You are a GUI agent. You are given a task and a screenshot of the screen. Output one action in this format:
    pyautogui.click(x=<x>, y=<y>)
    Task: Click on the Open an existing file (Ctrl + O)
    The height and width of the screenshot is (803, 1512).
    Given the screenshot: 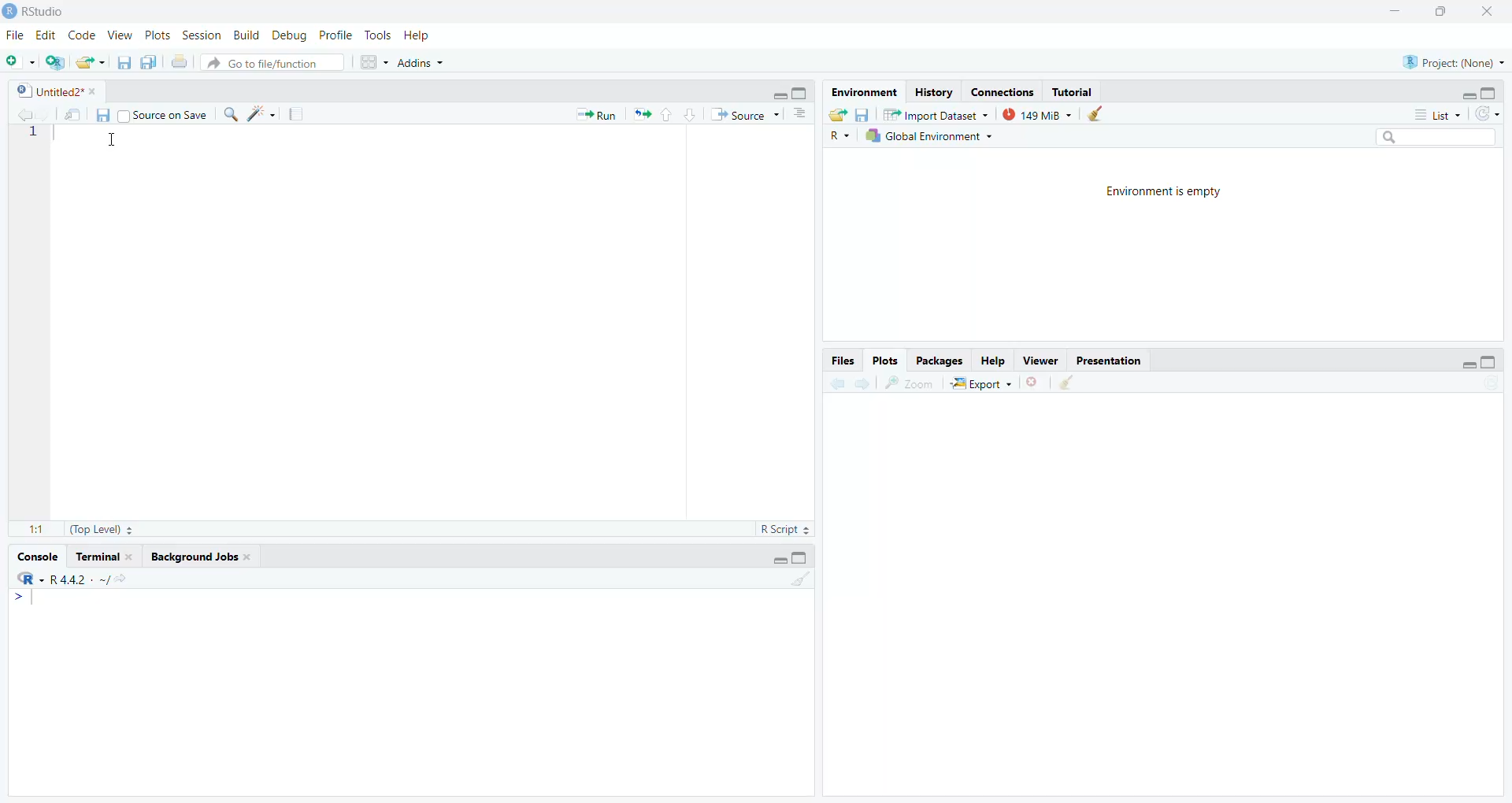 What is the action you would take?
    pyautogui.click(x=91, y=63)
    